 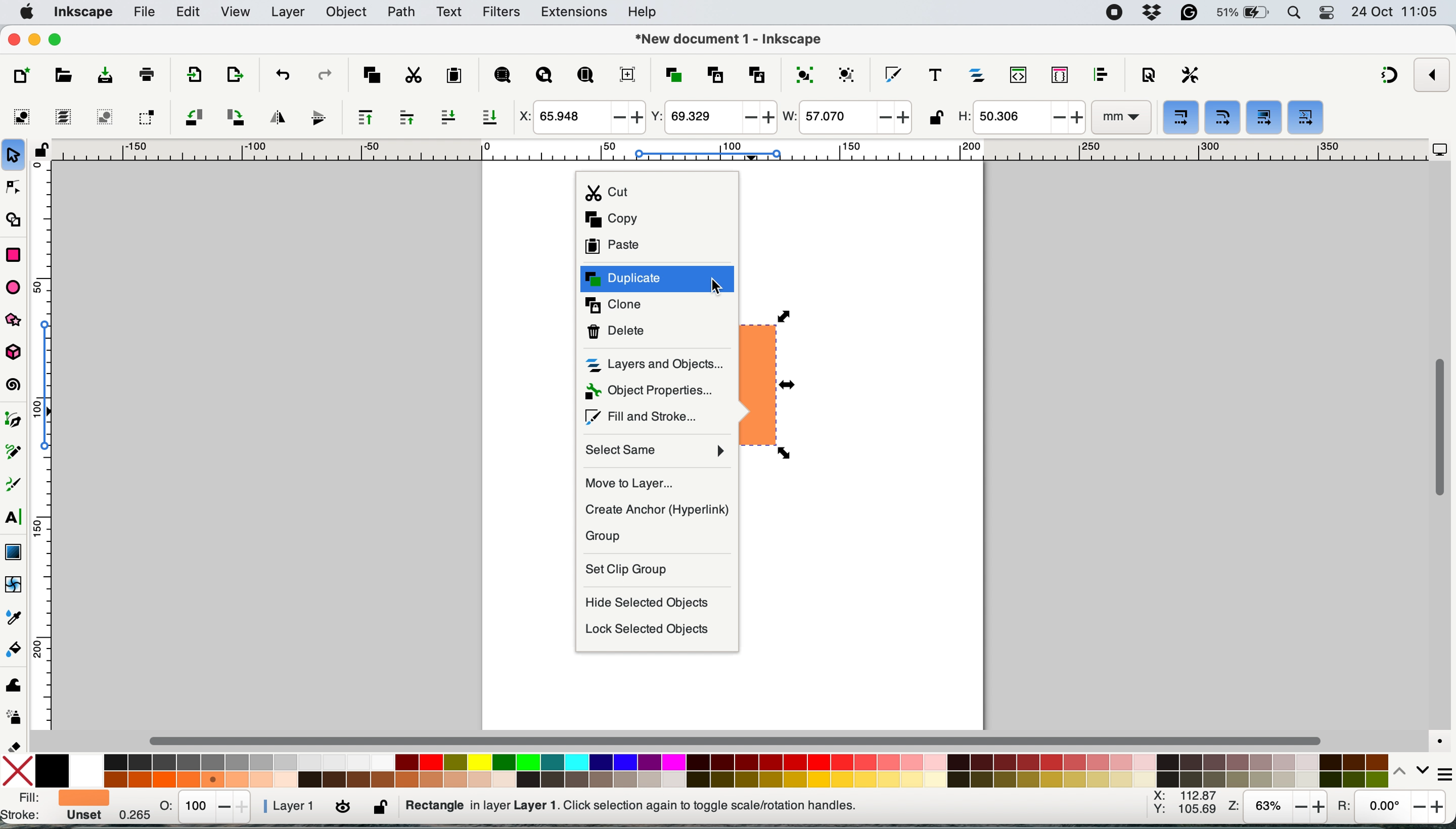 What do you see at coordinates (1265, 117) in the screenshot?
I see `move gradients` at bounding box center [1265, 117].